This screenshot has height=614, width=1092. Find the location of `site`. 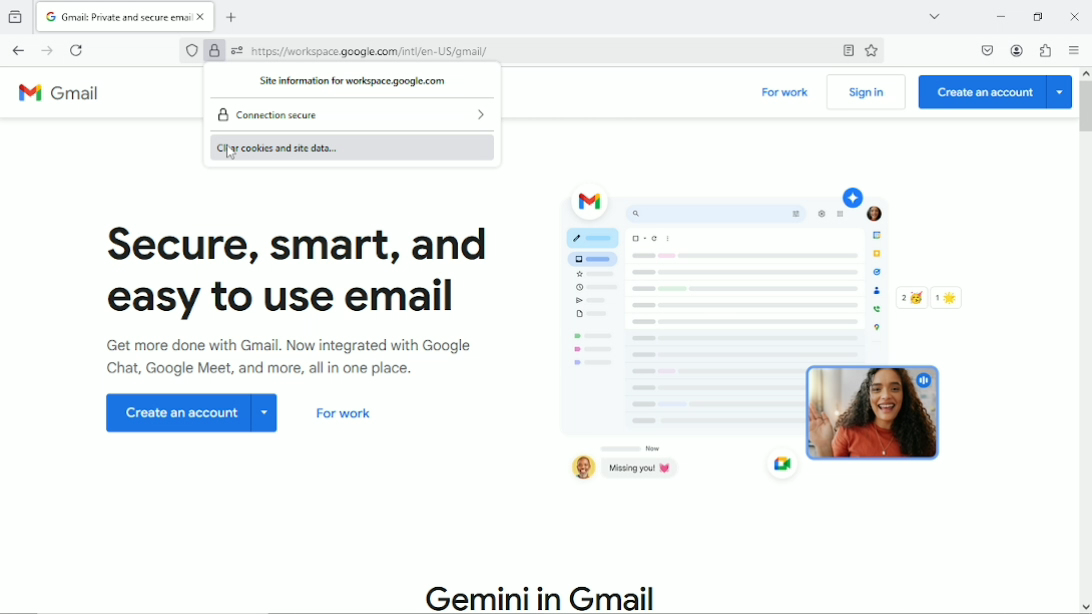

site is located at coordinates (371, 51).